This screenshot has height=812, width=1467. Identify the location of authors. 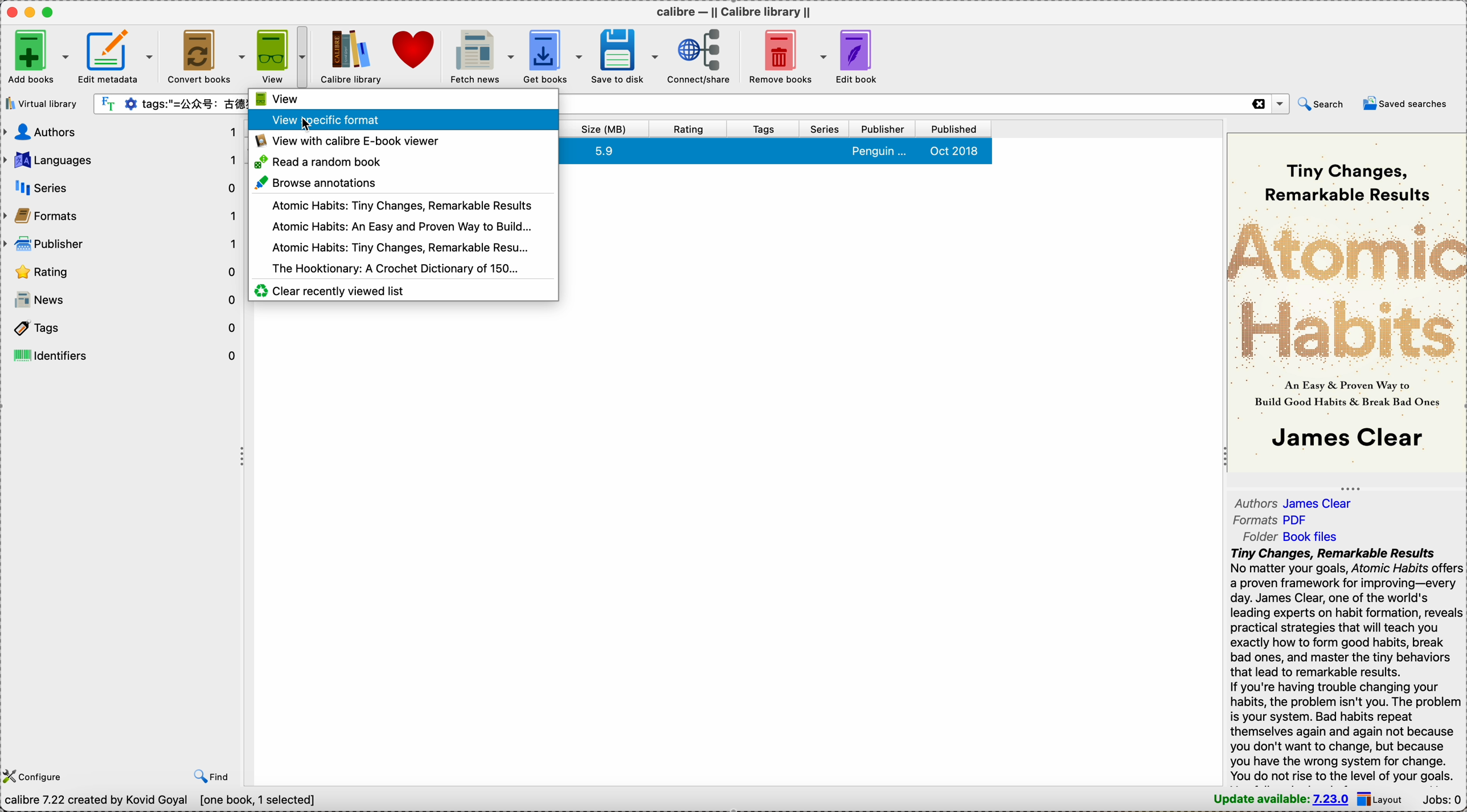
(121, 133).